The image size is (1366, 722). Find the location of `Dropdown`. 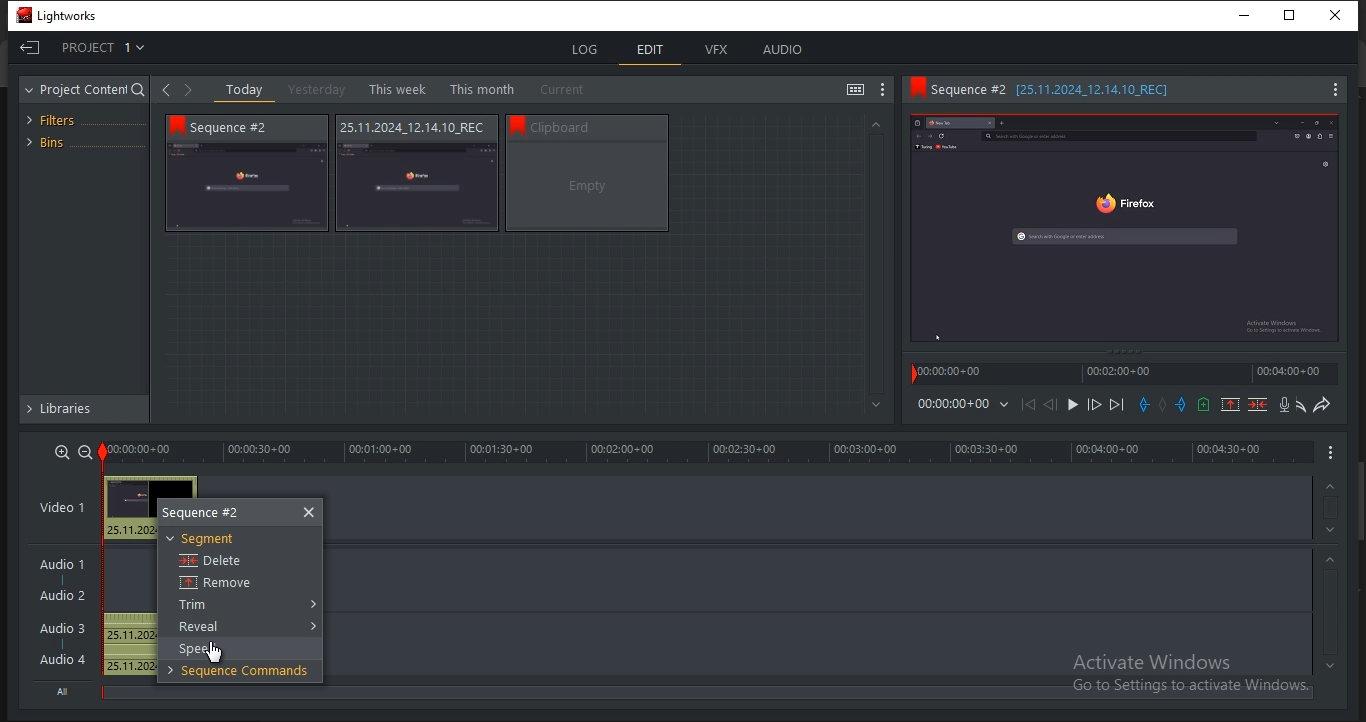

Dropdown is located at coordinates (1001, 407).